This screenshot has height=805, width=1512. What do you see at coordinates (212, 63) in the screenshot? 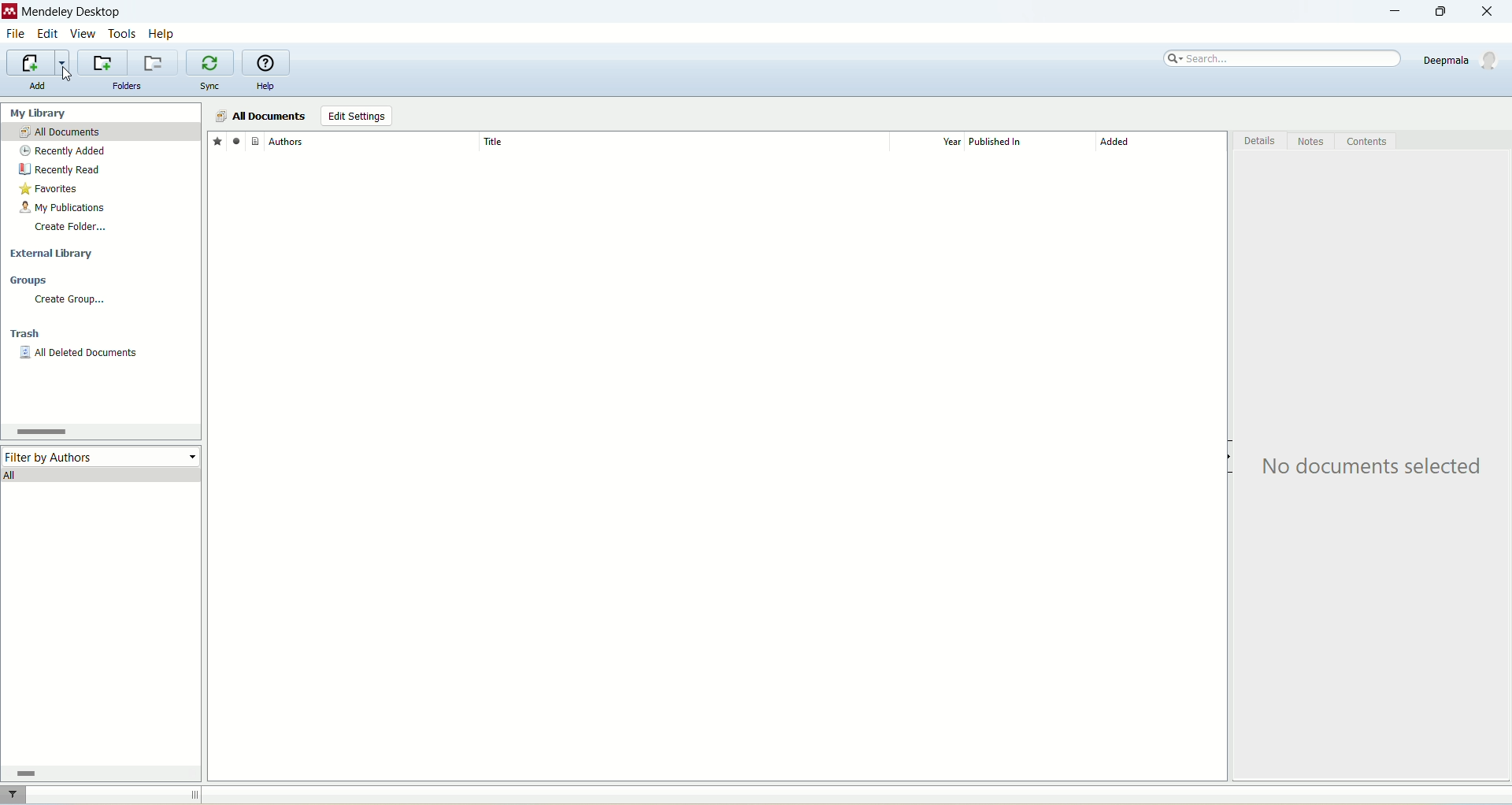
I see `synchronize library with mendeley web` at bounding box center [212, 63].